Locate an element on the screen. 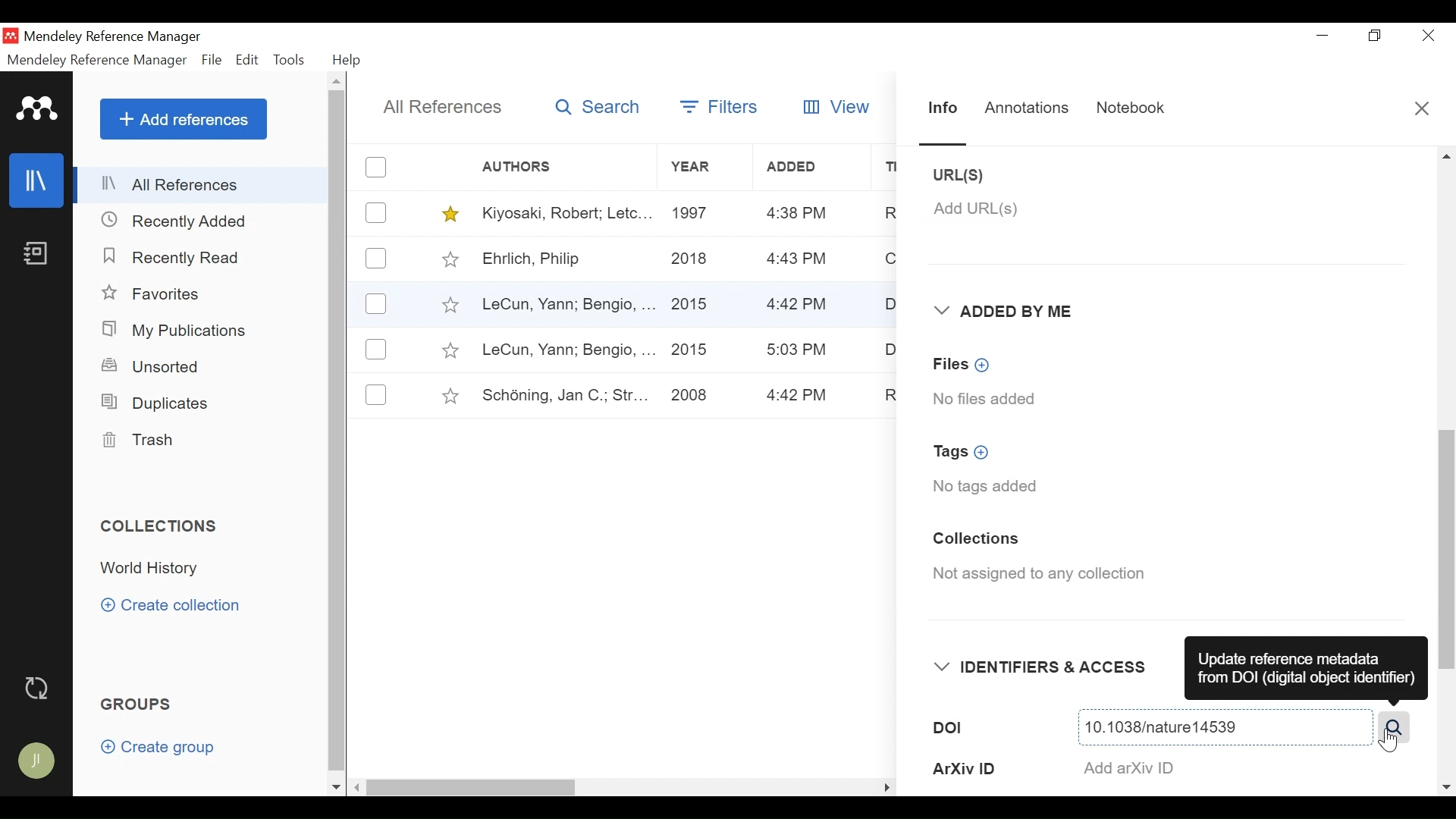  Horizontal Scroll bar is located at coordinates (598, 786).